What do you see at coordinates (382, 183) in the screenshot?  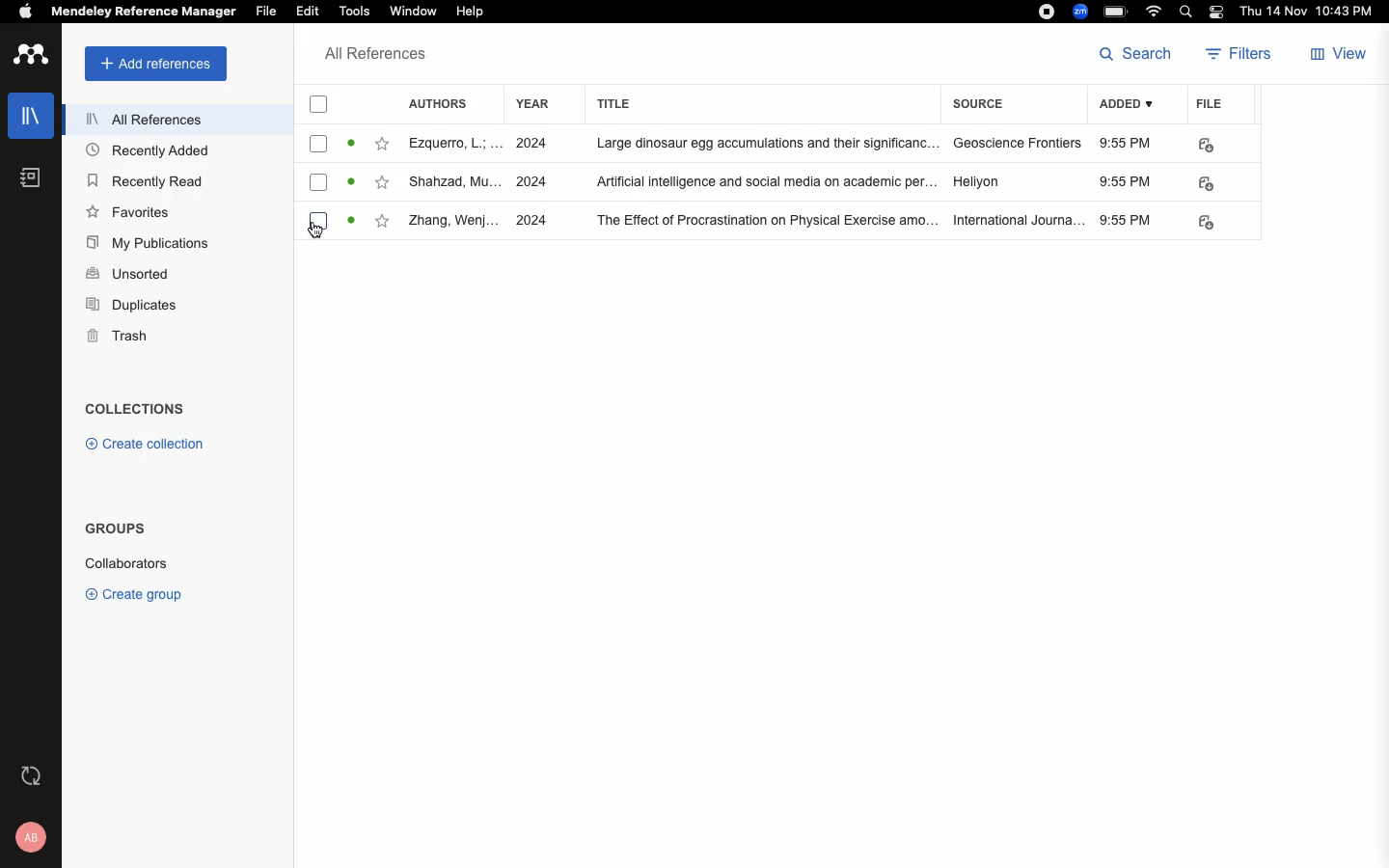 I see `favourite` at bounding box center [382, 183].